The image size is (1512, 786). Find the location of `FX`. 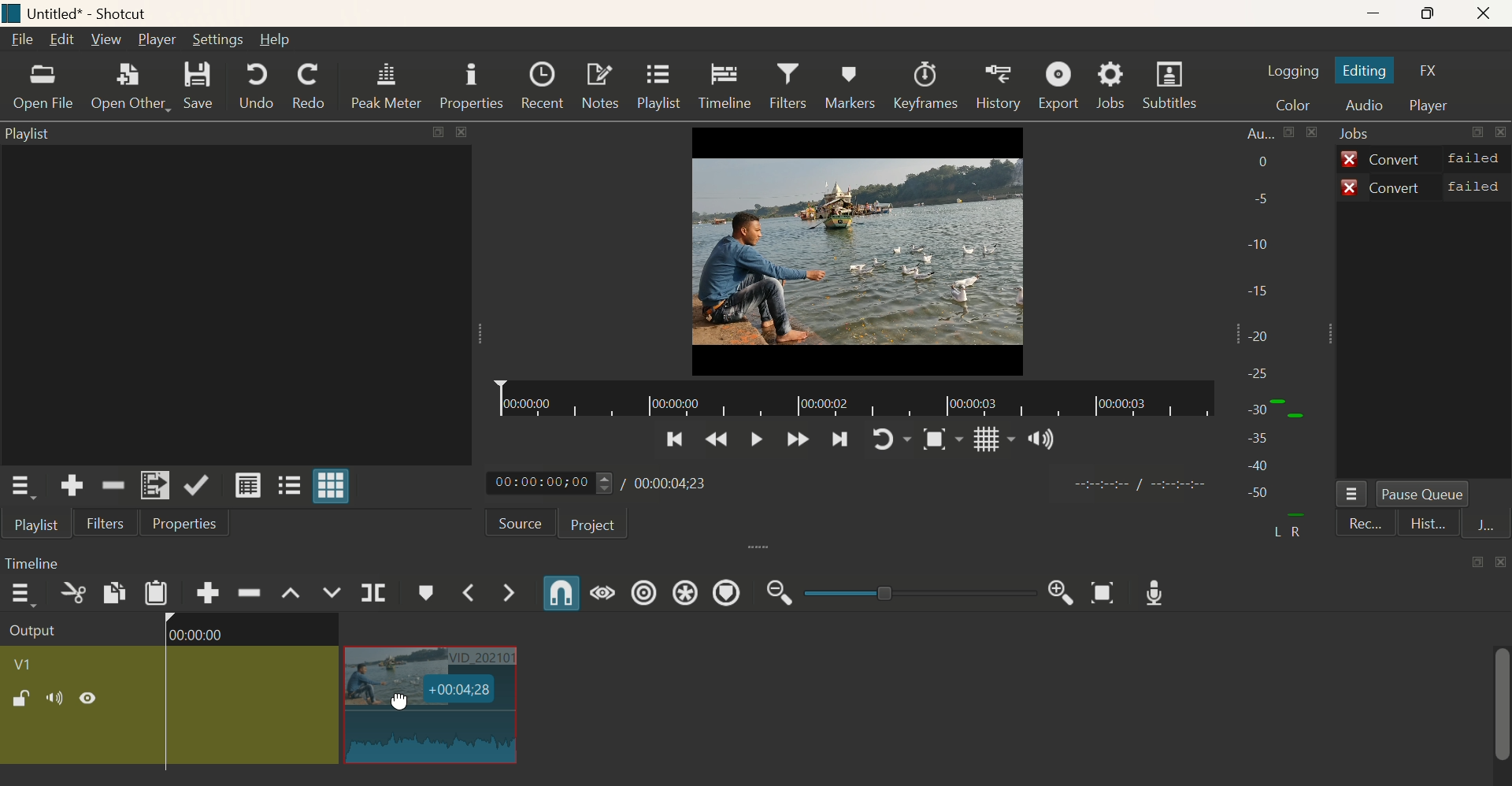

FX is located at coordinates (1434, 71).